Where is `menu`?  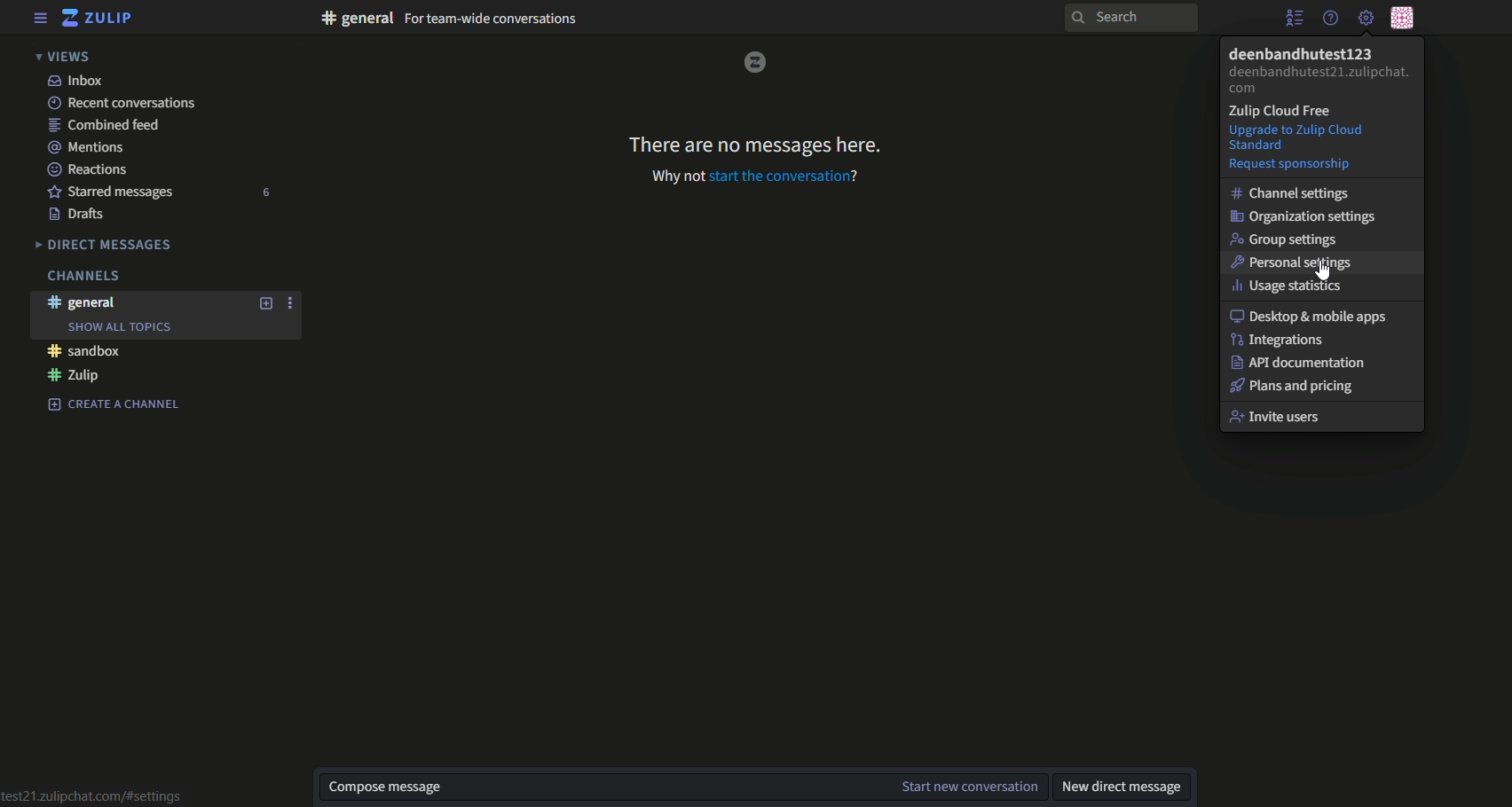 menu is located at coordinates (41, 18).